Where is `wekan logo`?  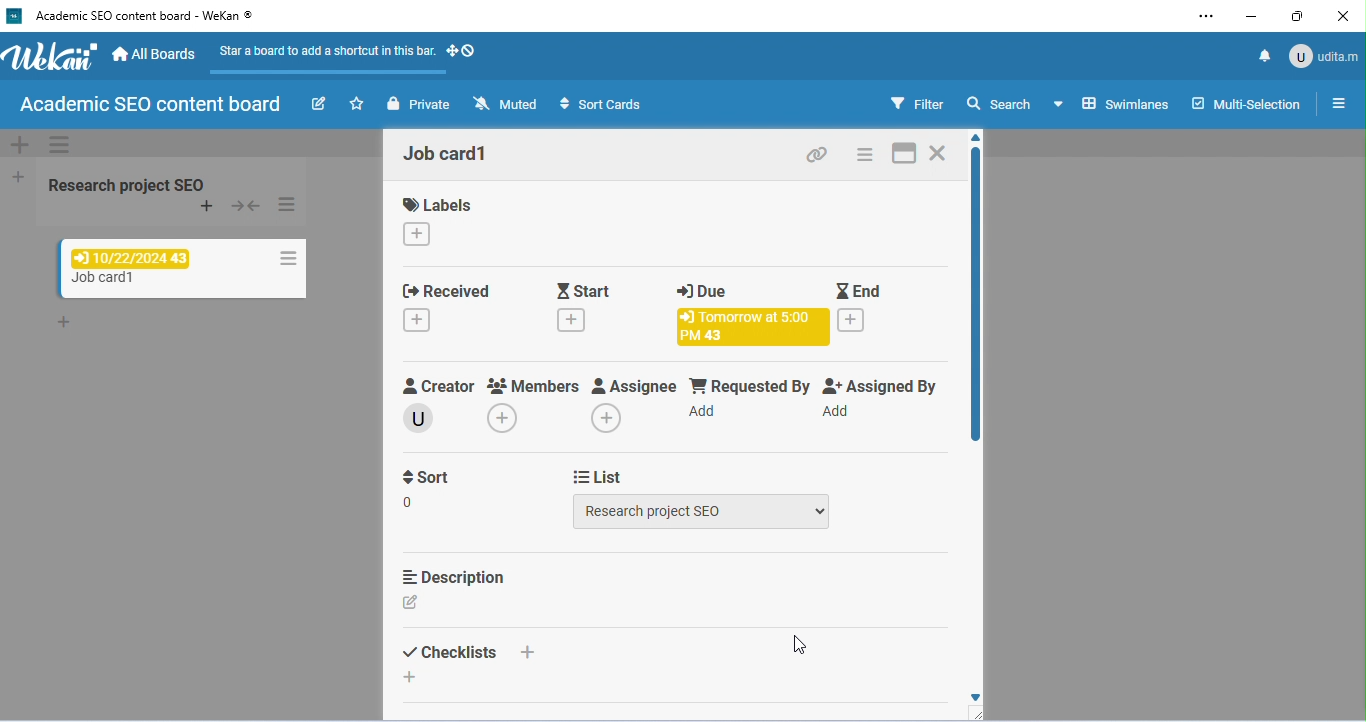 wekan logo is located at coordinates (14, 16).